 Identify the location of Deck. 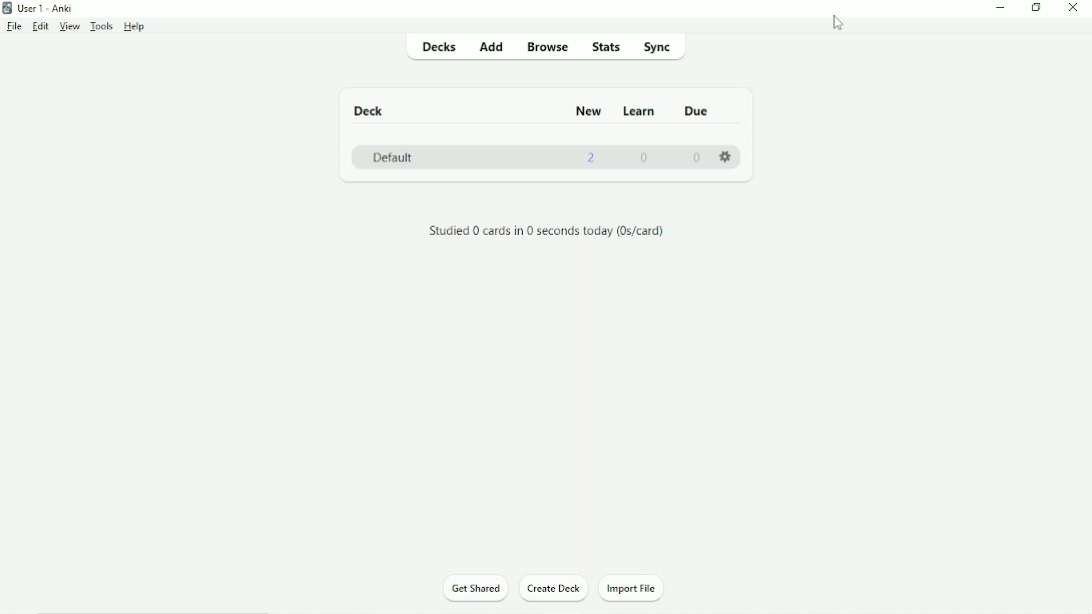
(369, 110).